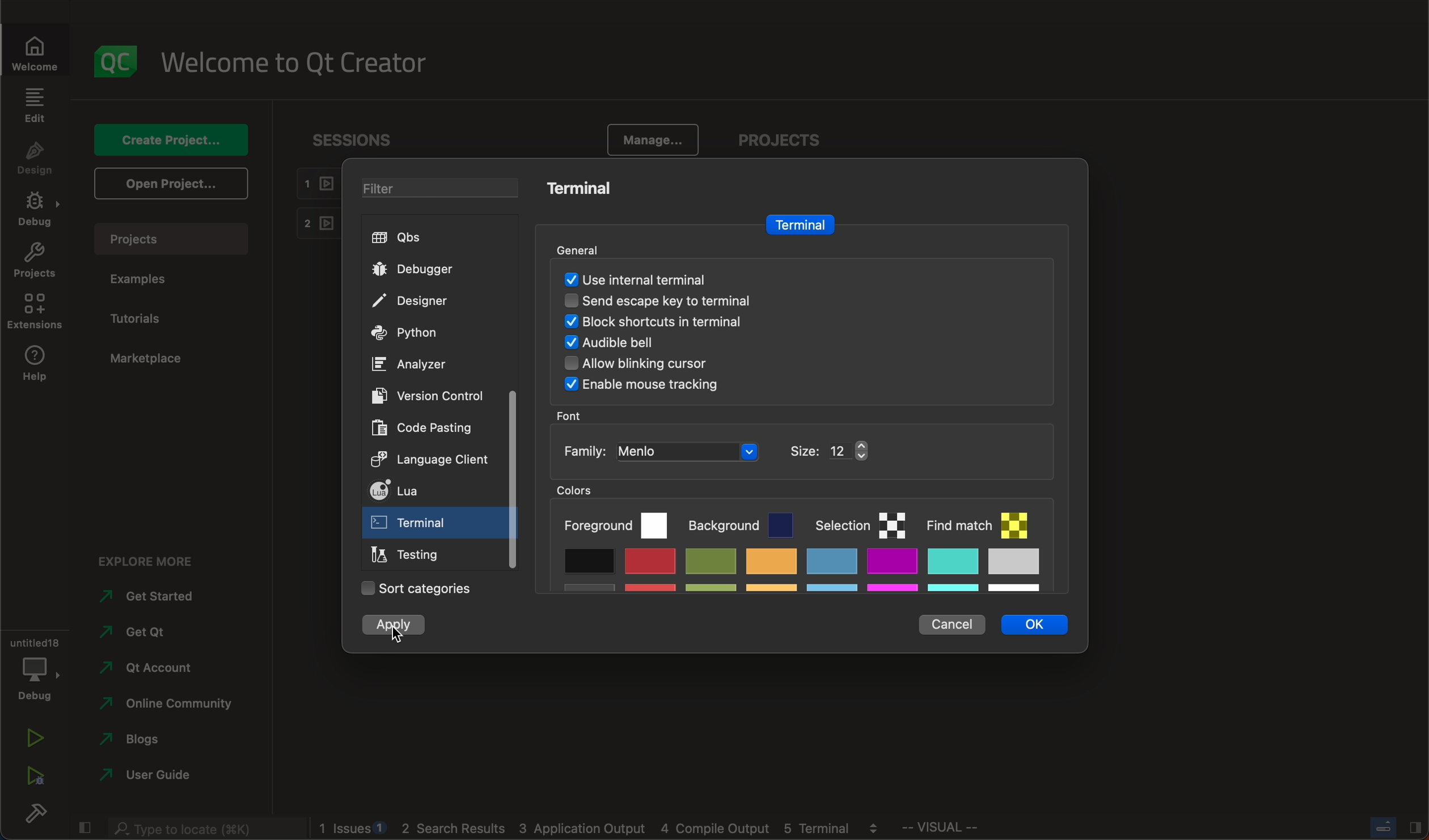 This screenshot has width=1429, height=840. Describe the element at coordinates (412, 366) in the screenshot. I see `analyzer` at that location.